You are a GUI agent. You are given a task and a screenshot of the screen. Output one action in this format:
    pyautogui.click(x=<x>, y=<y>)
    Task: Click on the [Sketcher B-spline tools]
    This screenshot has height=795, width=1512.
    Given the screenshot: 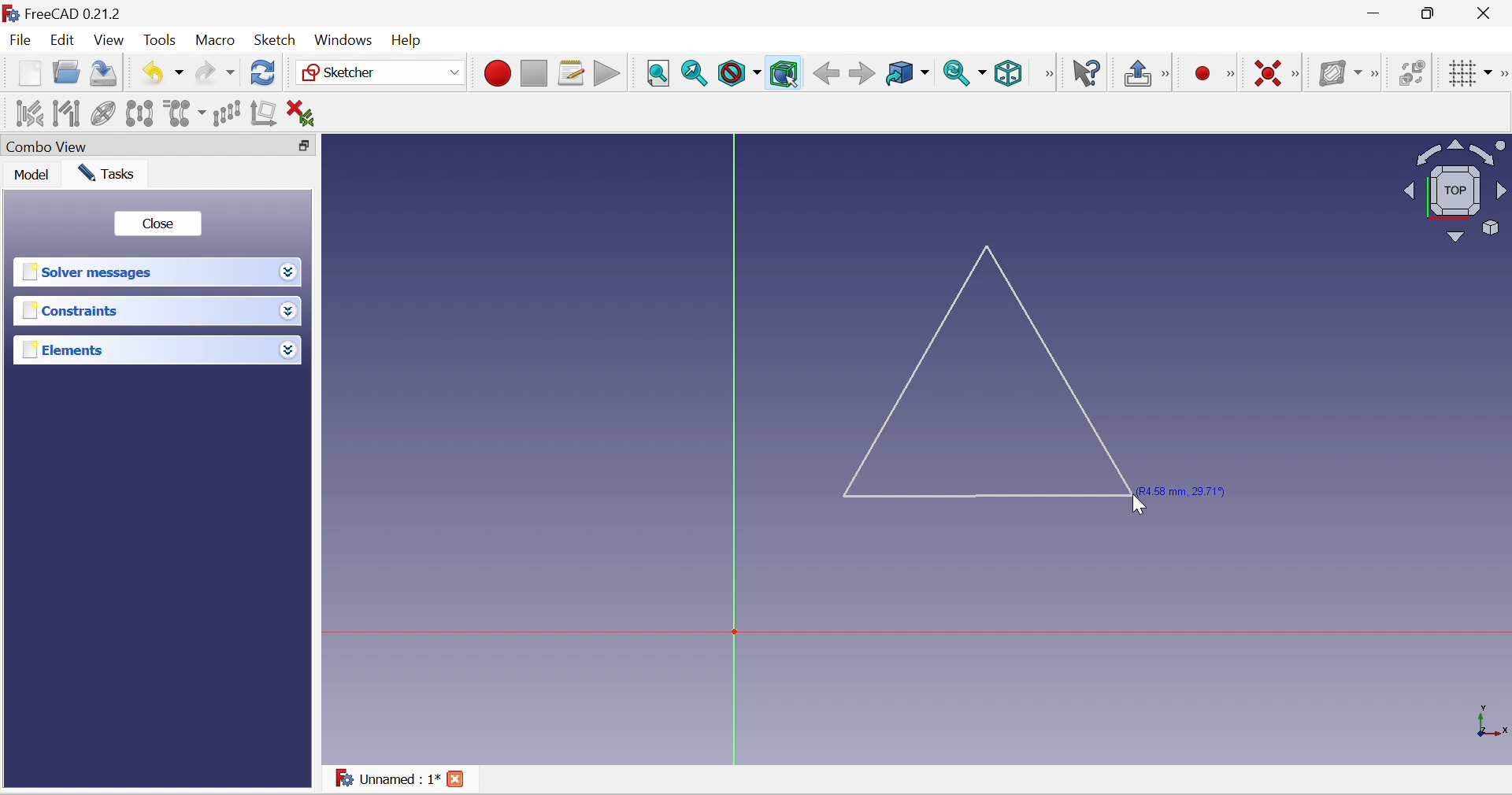 What is the action you would take?
    pyautogui.click(x=1378, y=74)
    